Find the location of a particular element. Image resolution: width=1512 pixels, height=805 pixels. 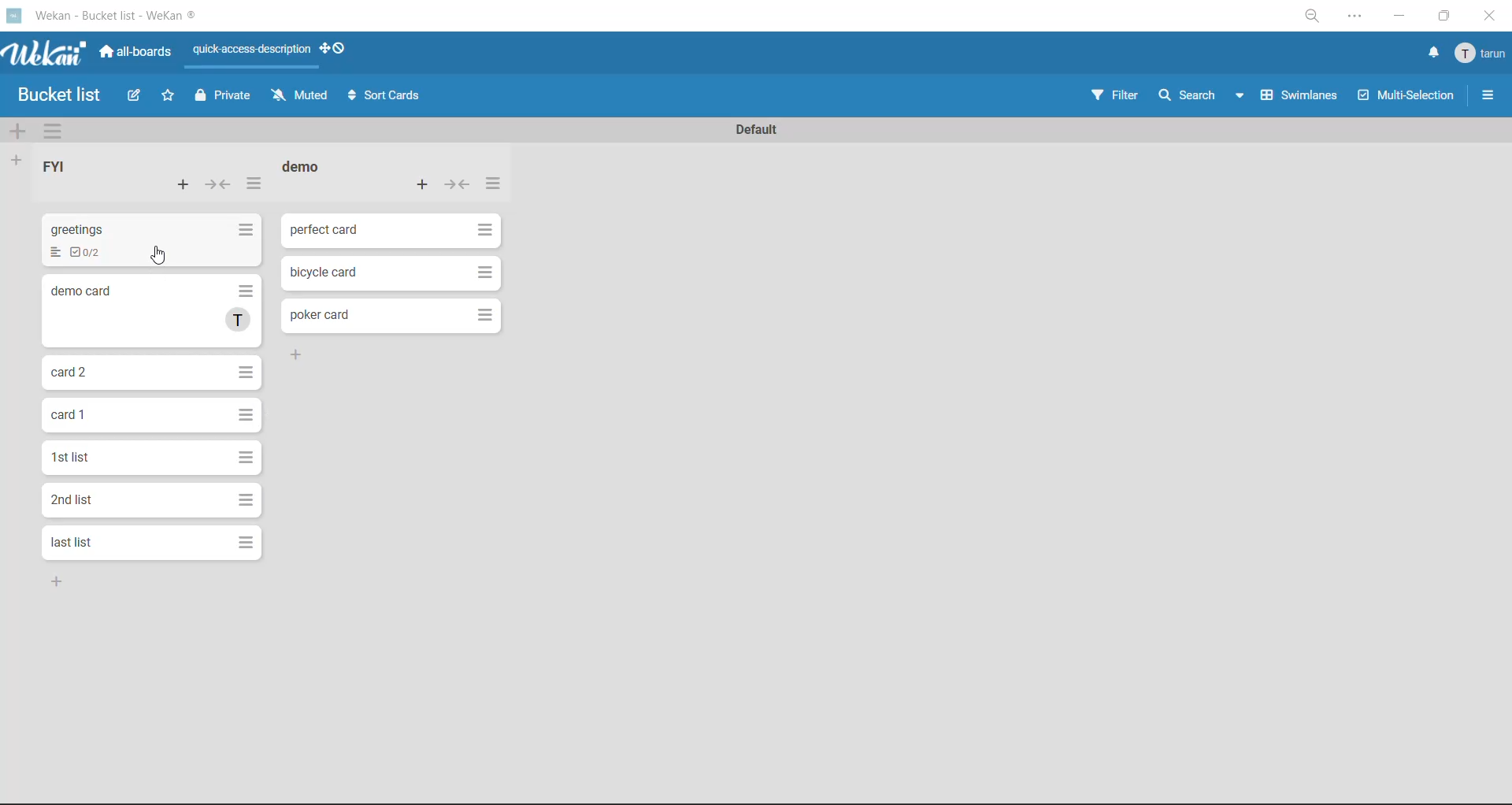

app logo is located at coordinates (46, 55).